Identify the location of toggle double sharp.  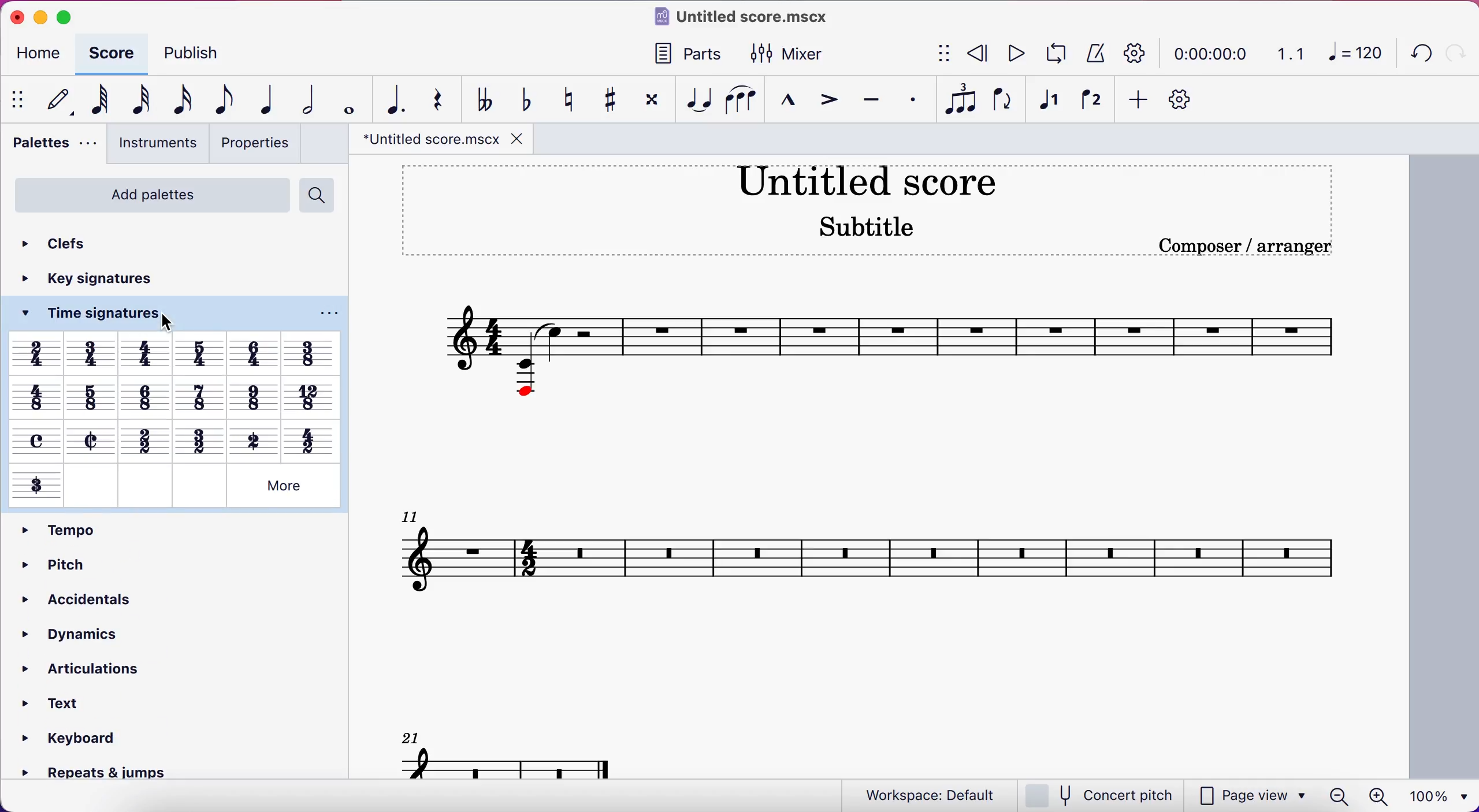
(647, 99).